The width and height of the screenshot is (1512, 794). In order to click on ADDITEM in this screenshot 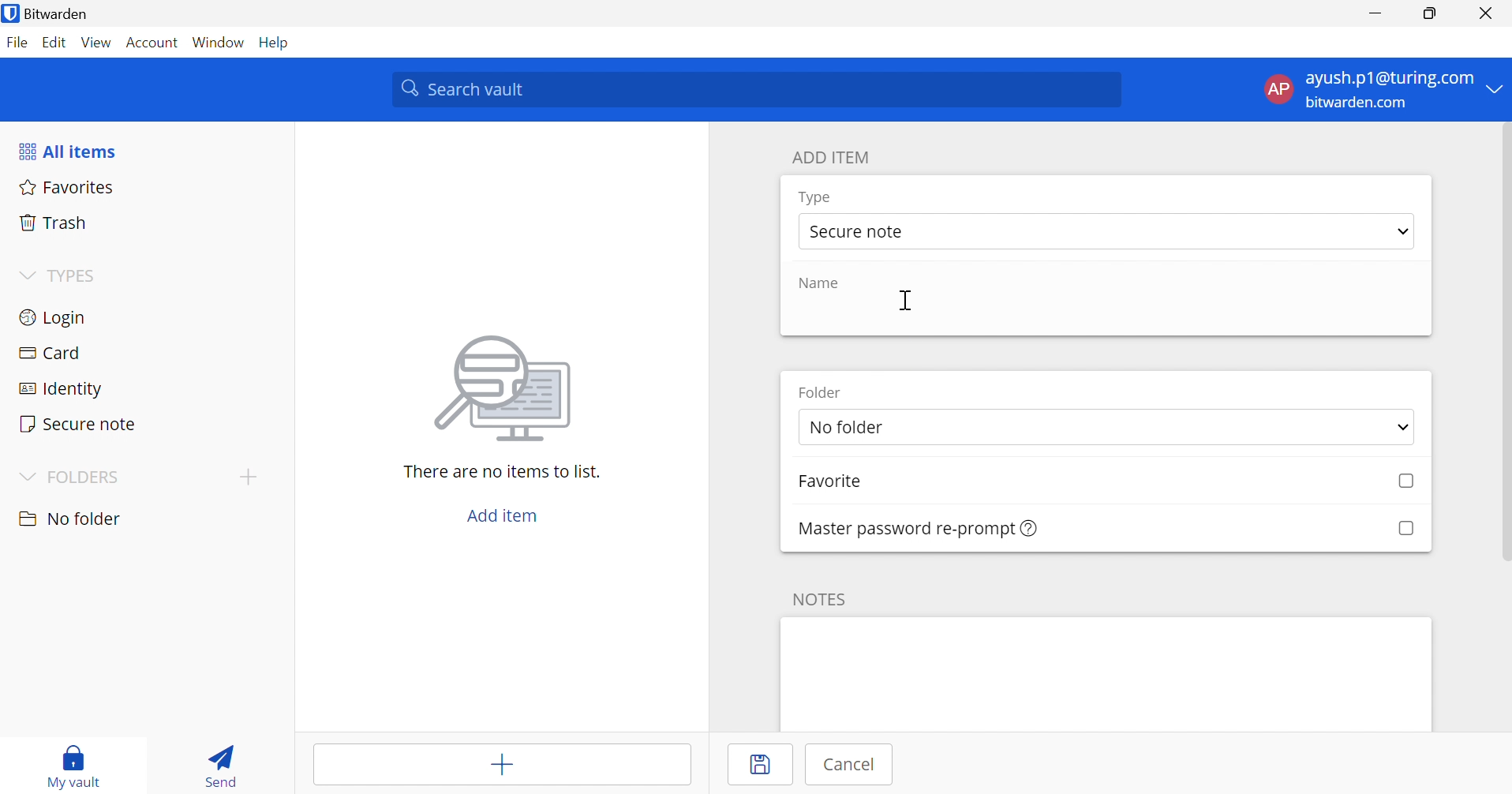, I will do `click(835, 157)`.